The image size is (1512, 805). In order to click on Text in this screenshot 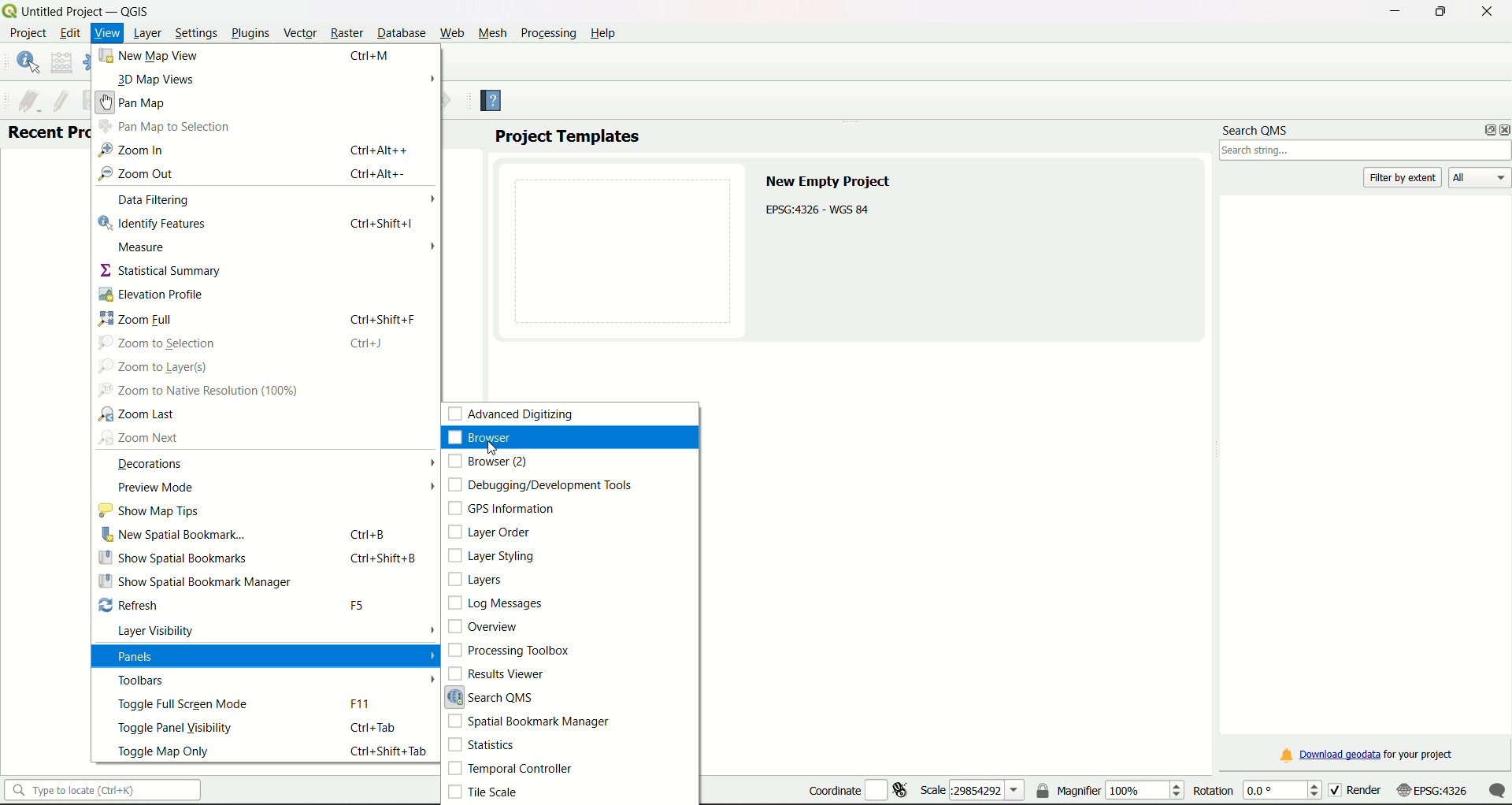, I will do `click(48, 132)`.